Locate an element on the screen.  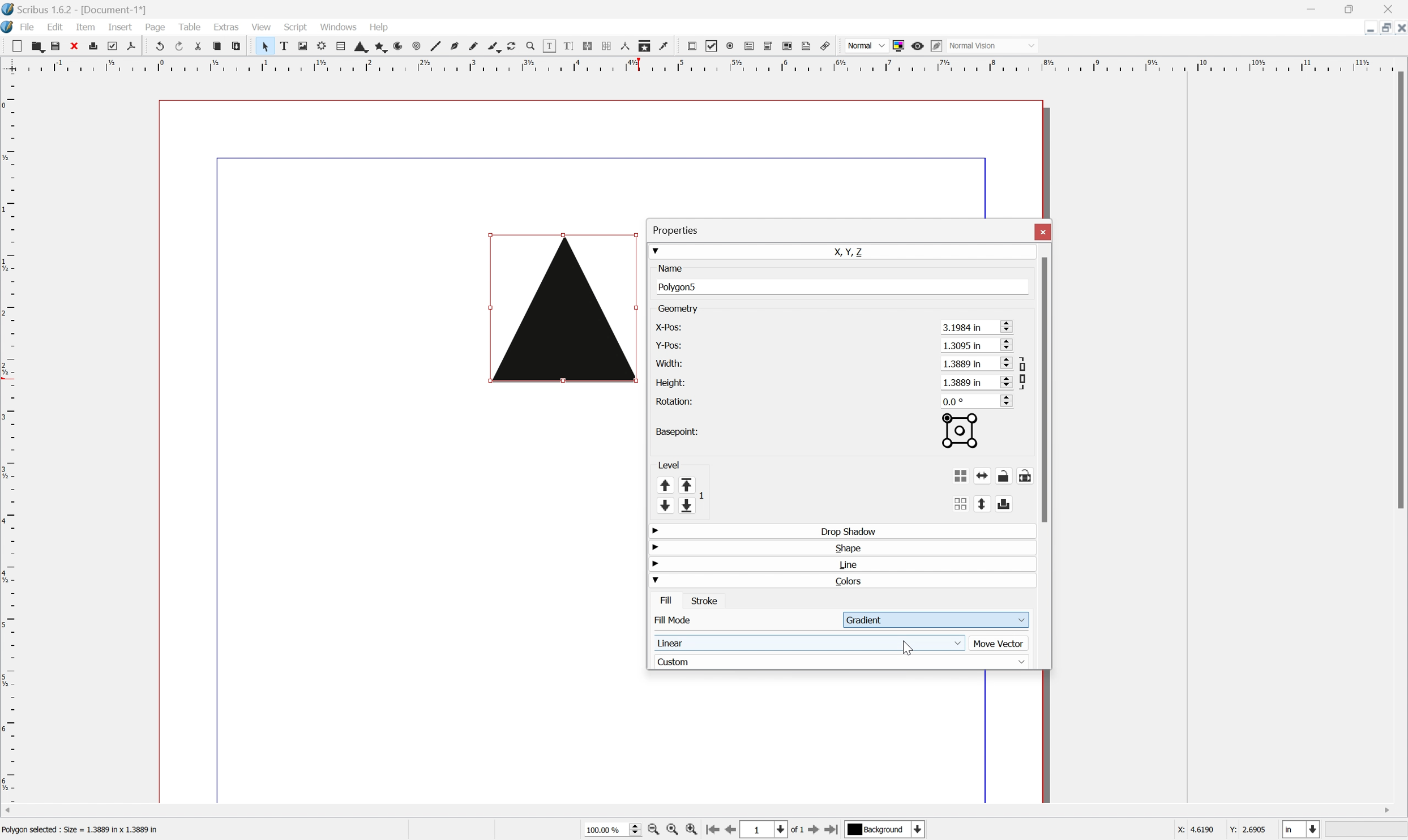
Lock or unlock the object is located at coordinates (1020, 474).